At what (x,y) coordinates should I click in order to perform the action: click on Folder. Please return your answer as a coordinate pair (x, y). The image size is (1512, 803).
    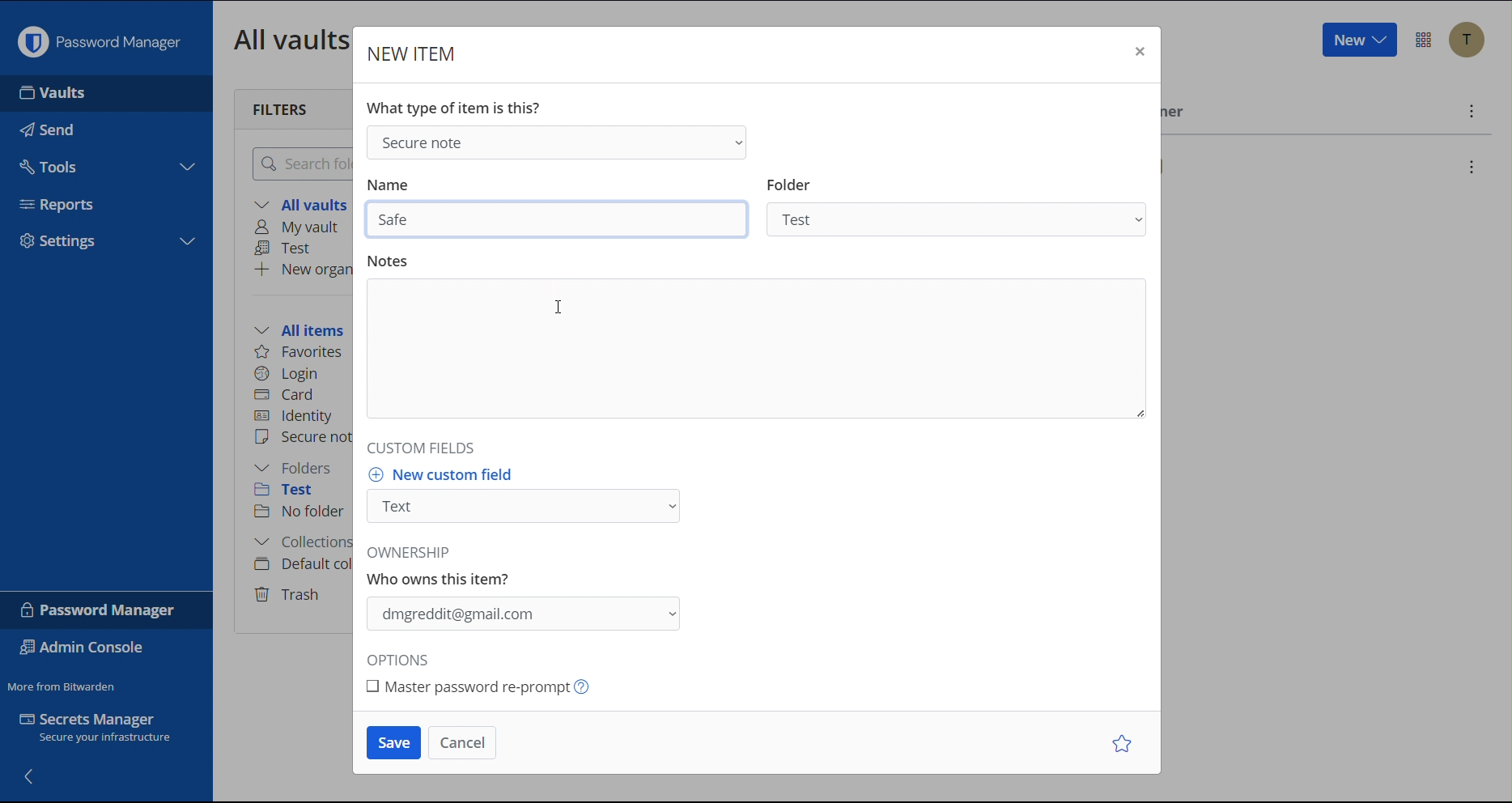
    Looking at the image, I should click on (958, 218).